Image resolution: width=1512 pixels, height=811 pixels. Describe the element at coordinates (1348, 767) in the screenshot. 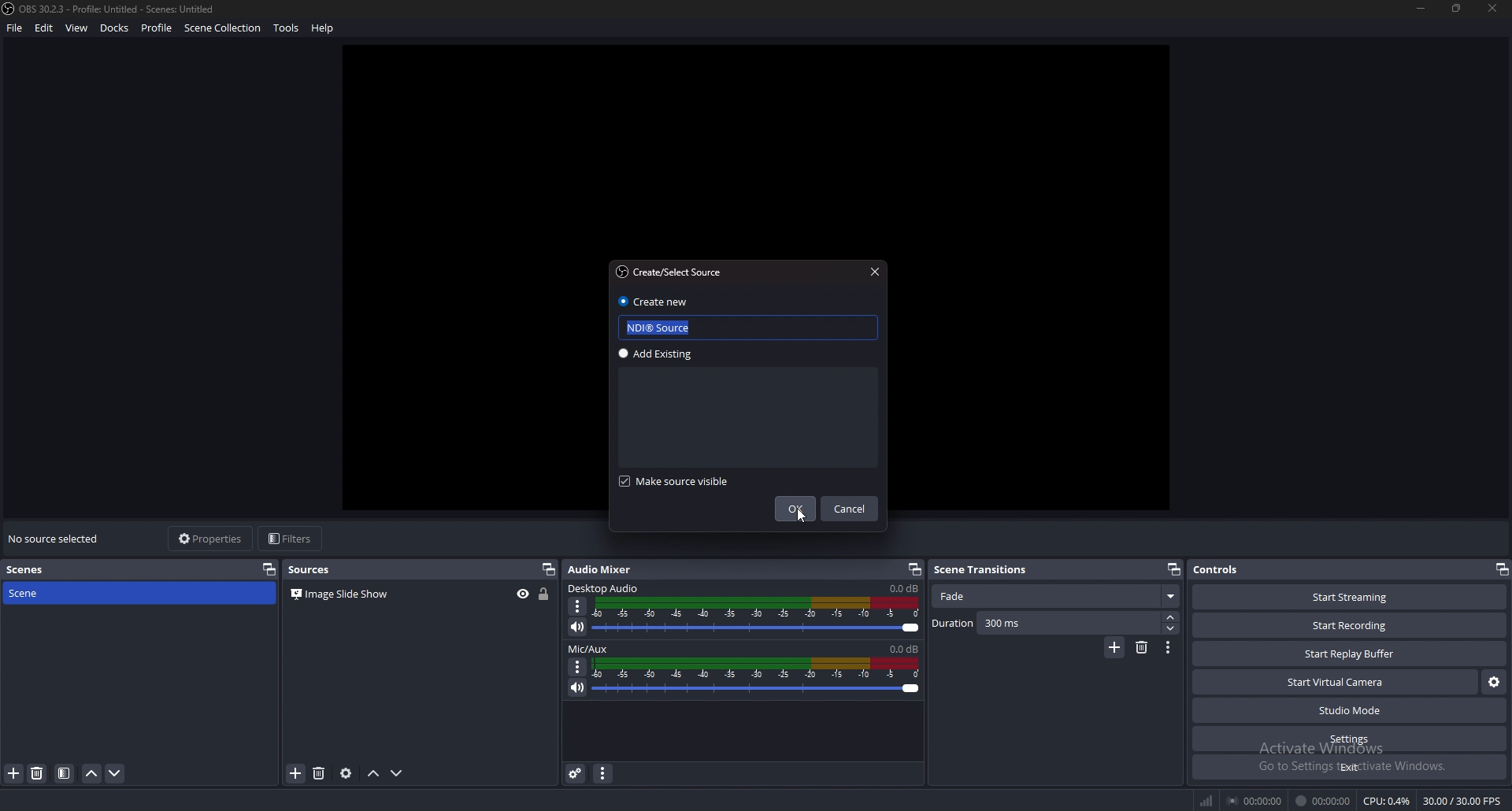

I see `exit` at that location.